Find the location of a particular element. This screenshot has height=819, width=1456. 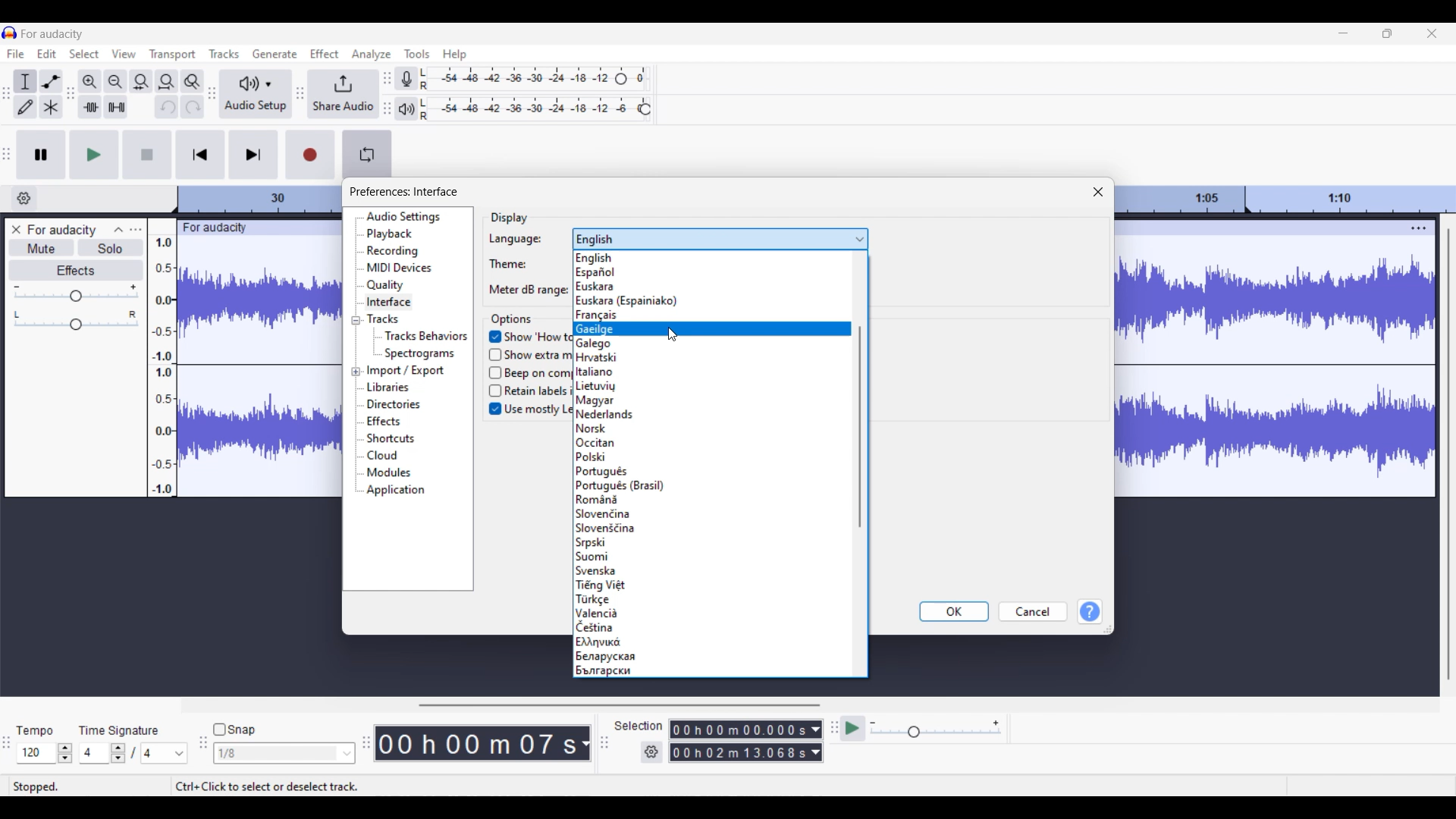

Redo is located at coordinates (193, 106).